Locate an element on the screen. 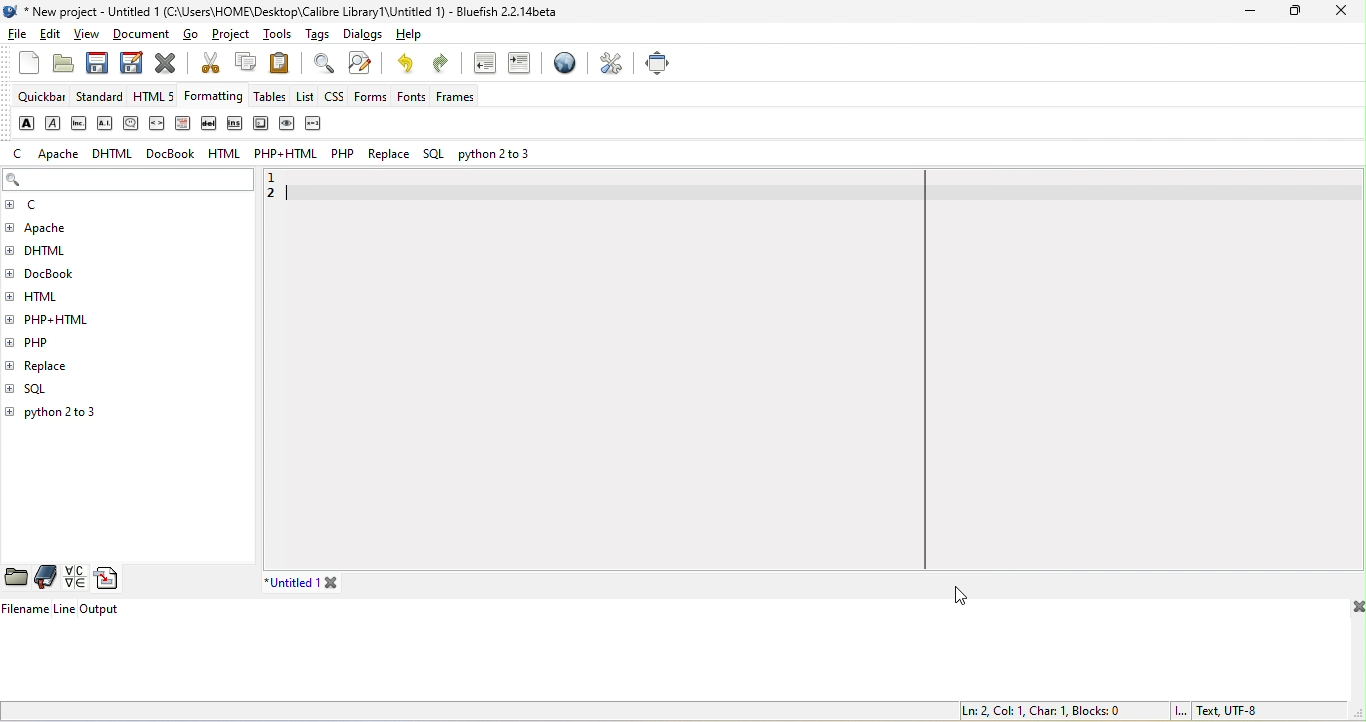 This screenshot has width=1366, height=722. new is located at coordinates (20, 67).